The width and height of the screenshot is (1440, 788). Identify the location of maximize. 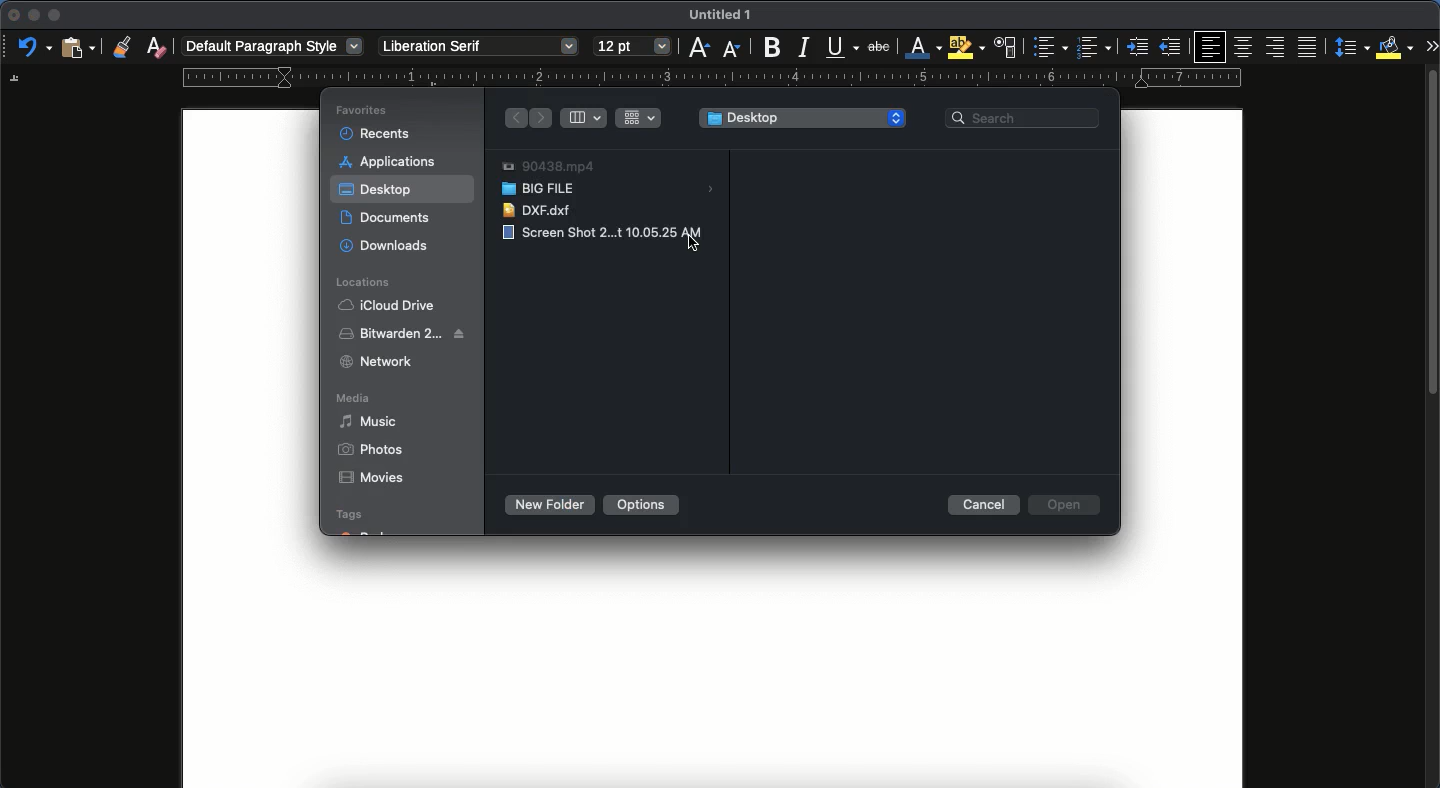
(54, 16).